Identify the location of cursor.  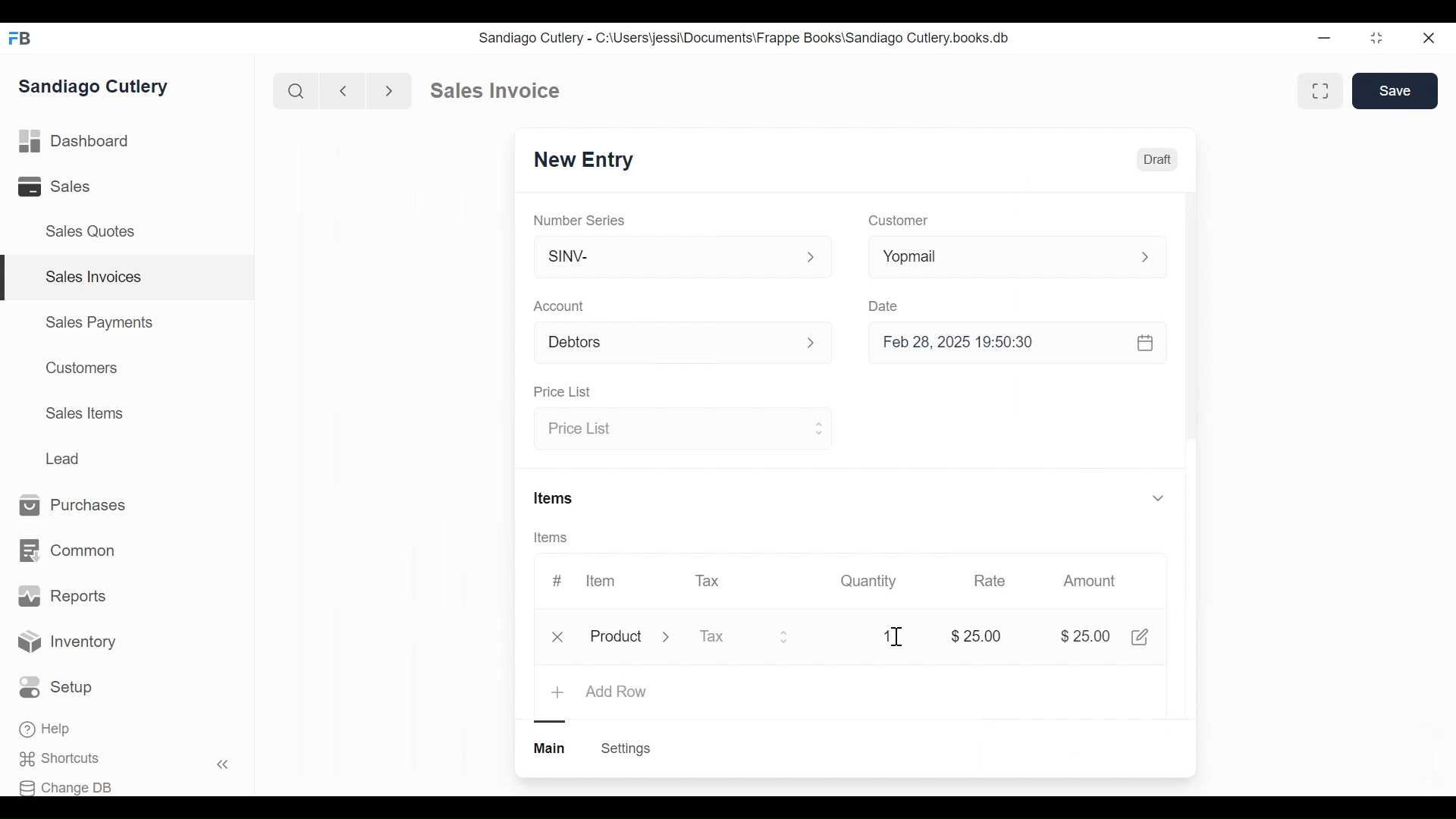
(895, 637).